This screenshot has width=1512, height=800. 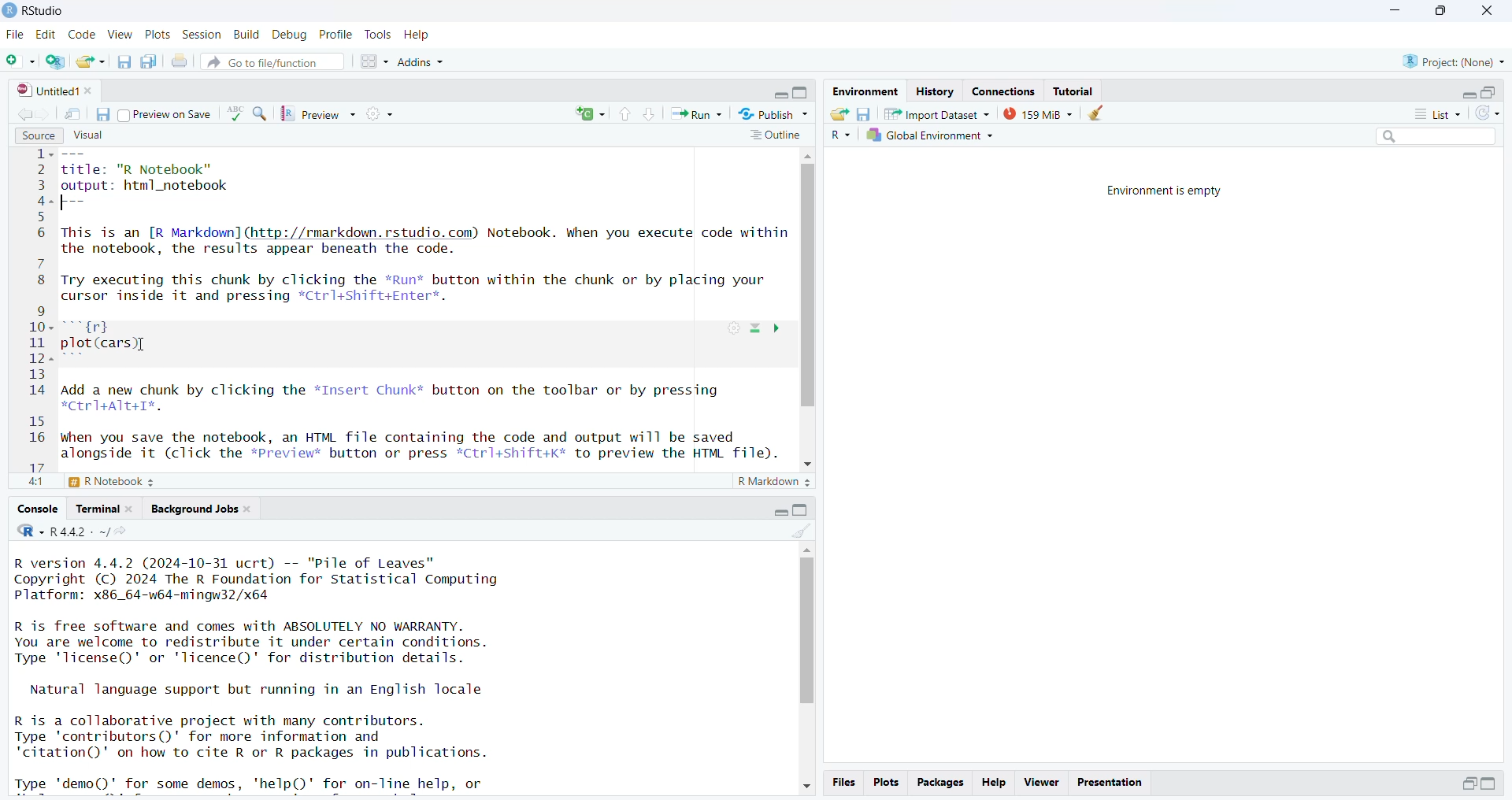 What do you see at coordinates (1041, 783) in the screenshot?
I see `viewer` at bounding box center [1041, 783].